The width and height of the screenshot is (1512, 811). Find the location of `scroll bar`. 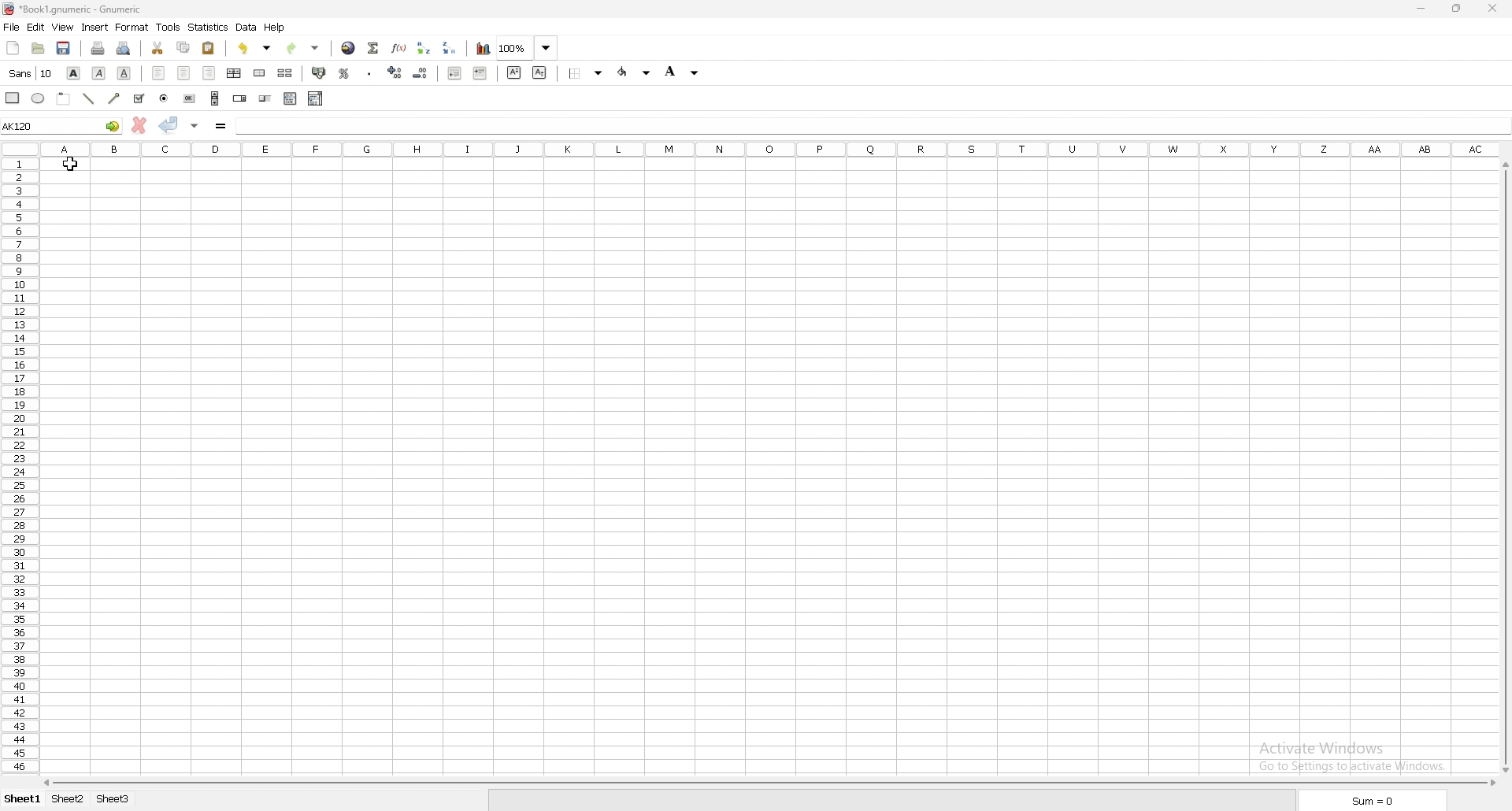

scroll bar is located at coordinates (1506, 466).